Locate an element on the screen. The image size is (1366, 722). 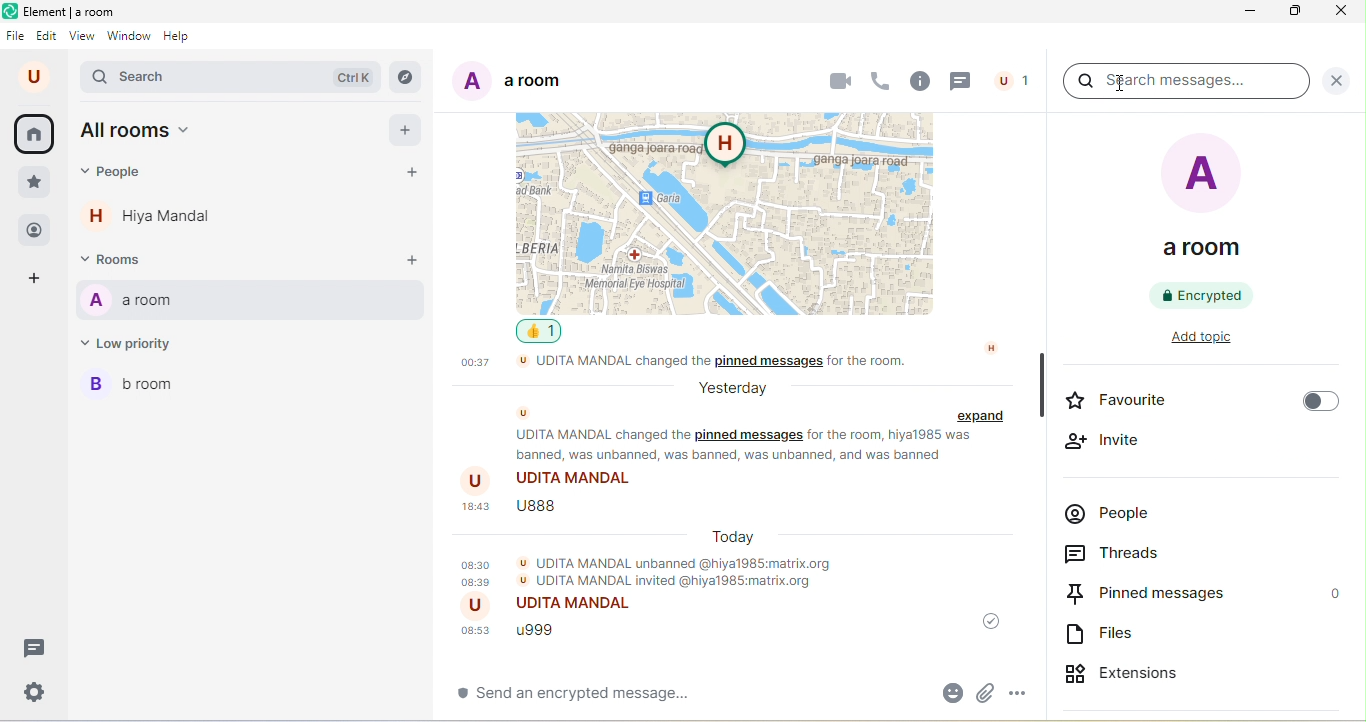
a room is located at coordinates (1206, 202).